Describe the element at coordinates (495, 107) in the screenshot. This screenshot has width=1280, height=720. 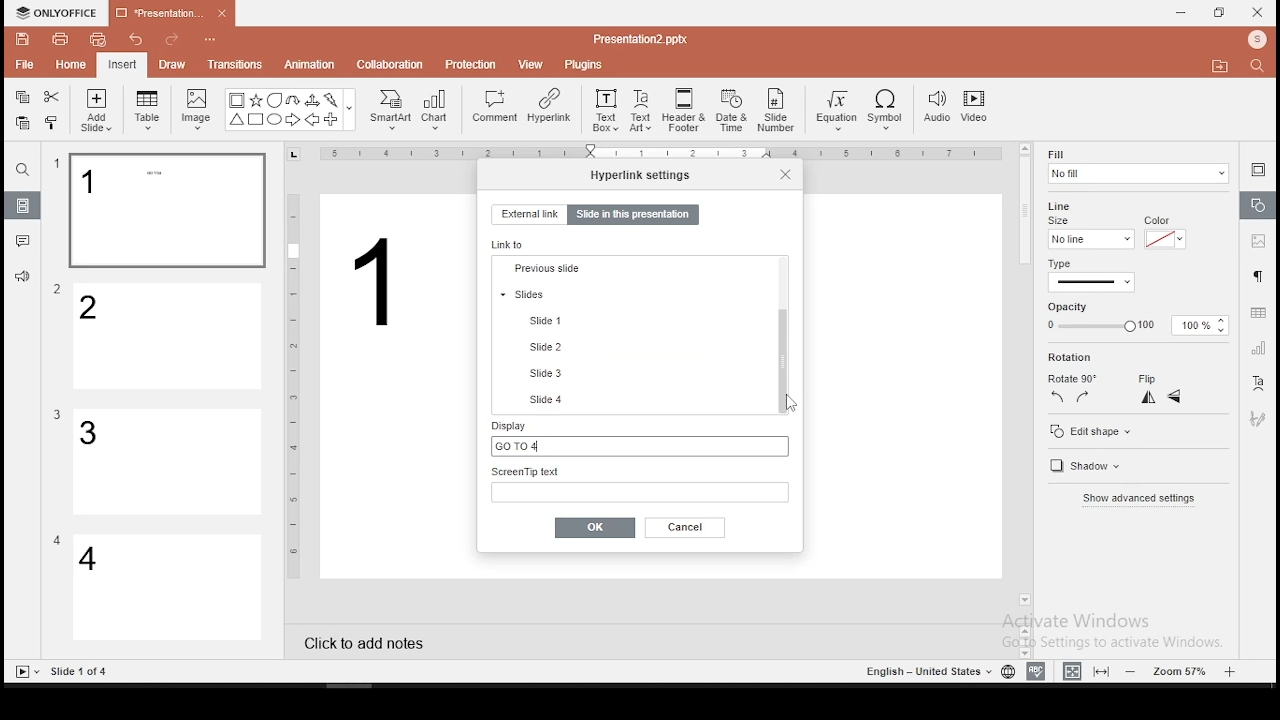
I see `comment` at that location.